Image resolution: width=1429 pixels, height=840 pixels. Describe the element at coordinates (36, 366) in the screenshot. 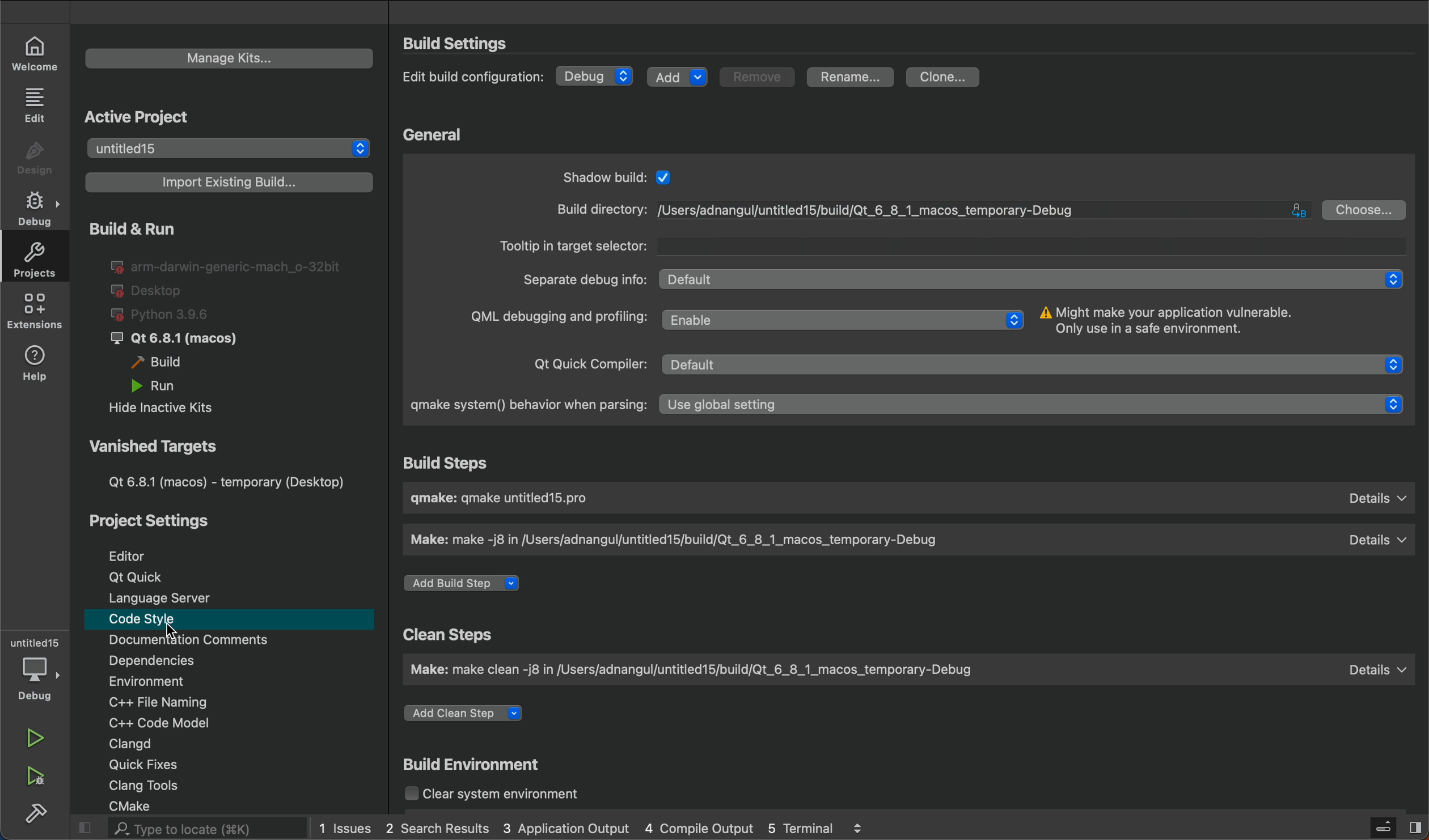

I see `help` at that location.